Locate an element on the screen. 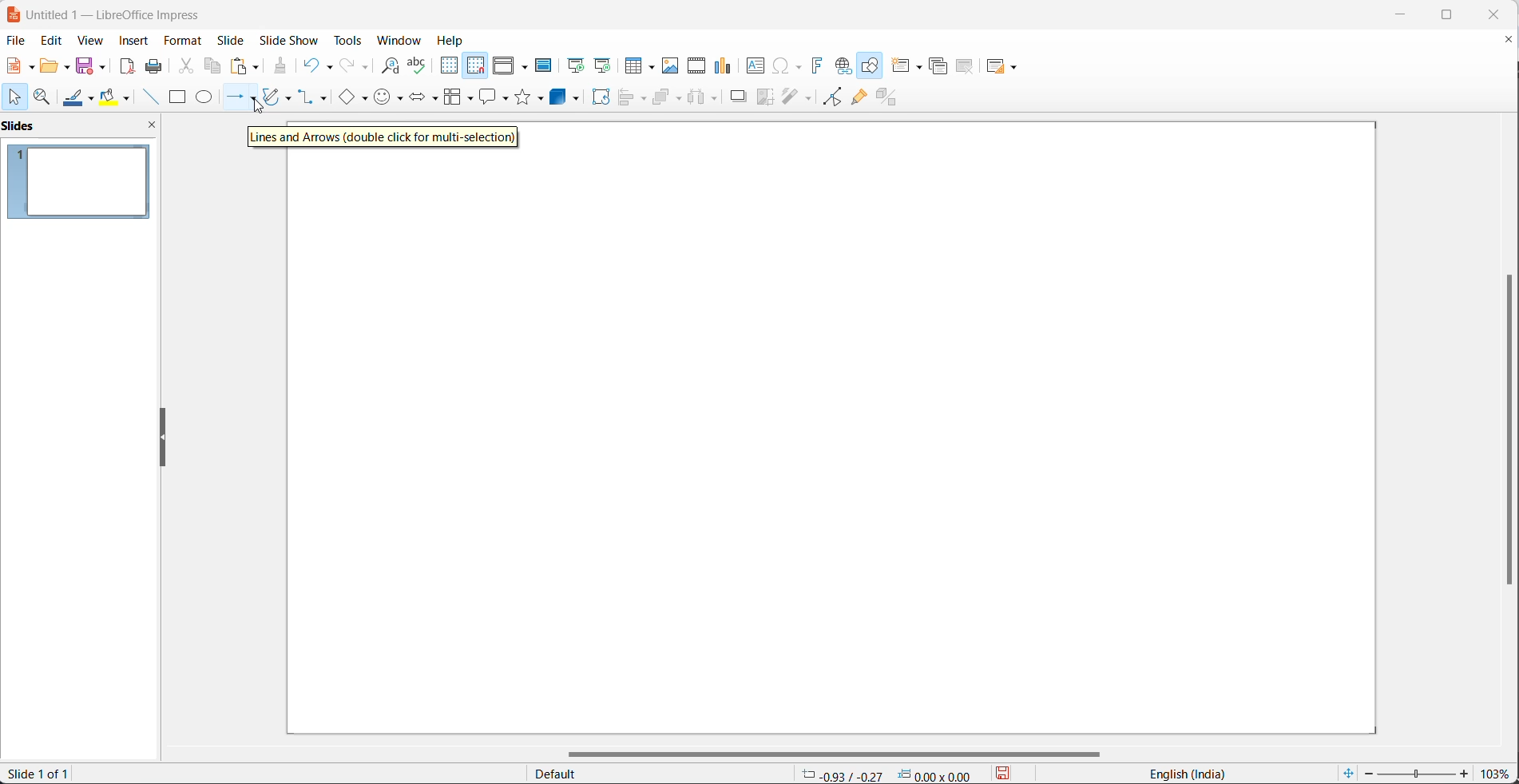  clone formatting is located at coordinates (280, 65).